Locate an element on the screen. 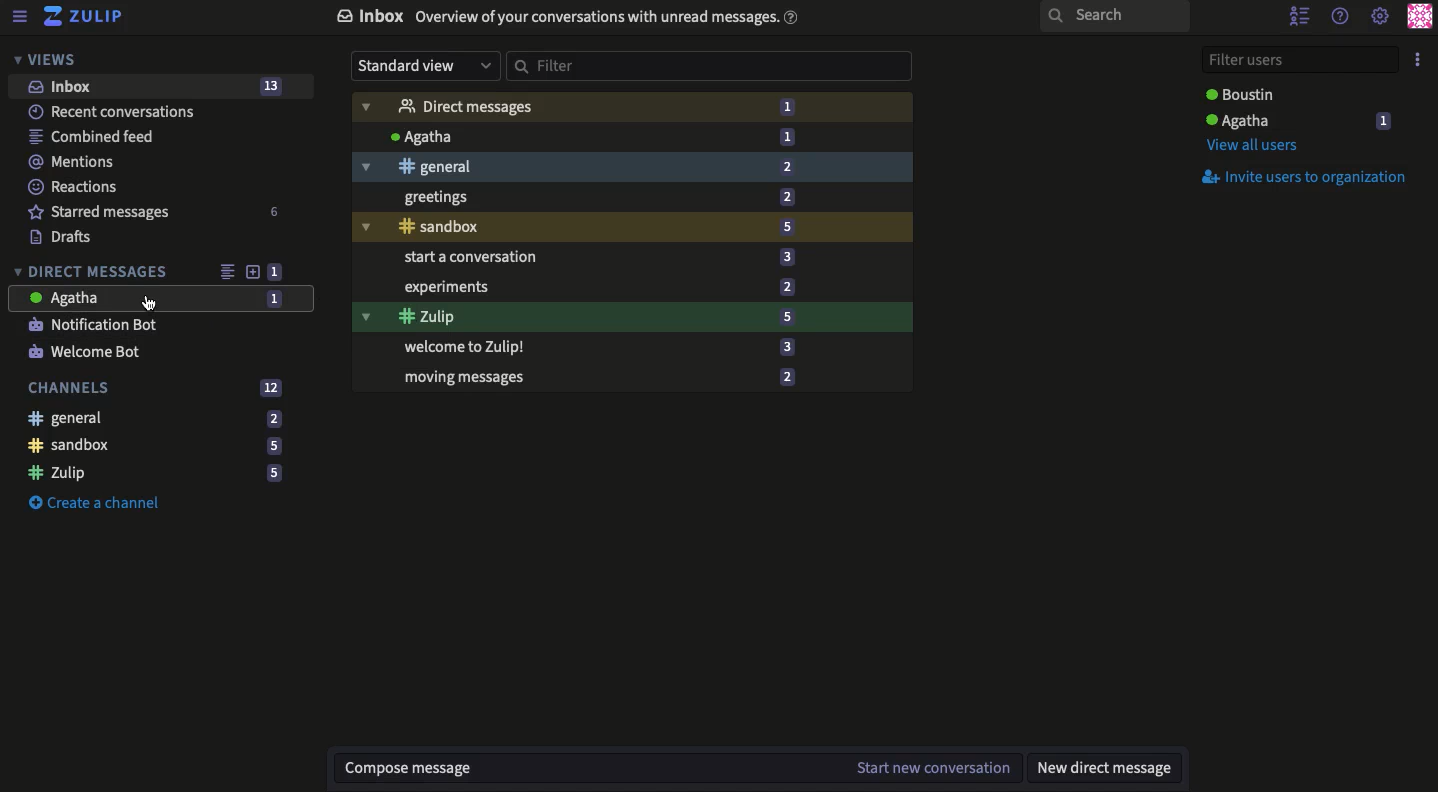  Direct messages is located at coordinates (96, 270).